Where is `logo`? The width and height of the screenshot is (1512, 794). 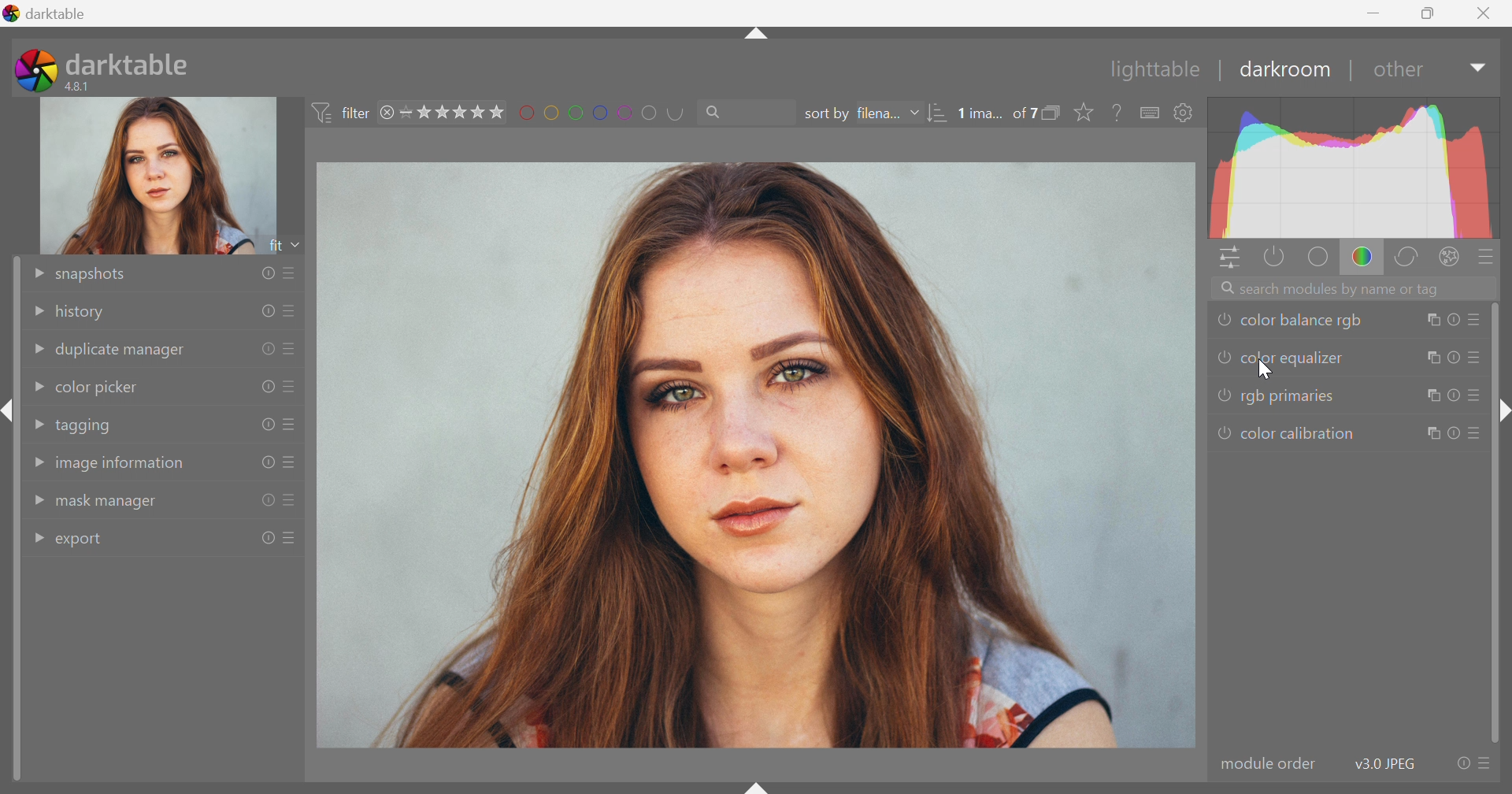 logo is located at coordinates (12, 13).